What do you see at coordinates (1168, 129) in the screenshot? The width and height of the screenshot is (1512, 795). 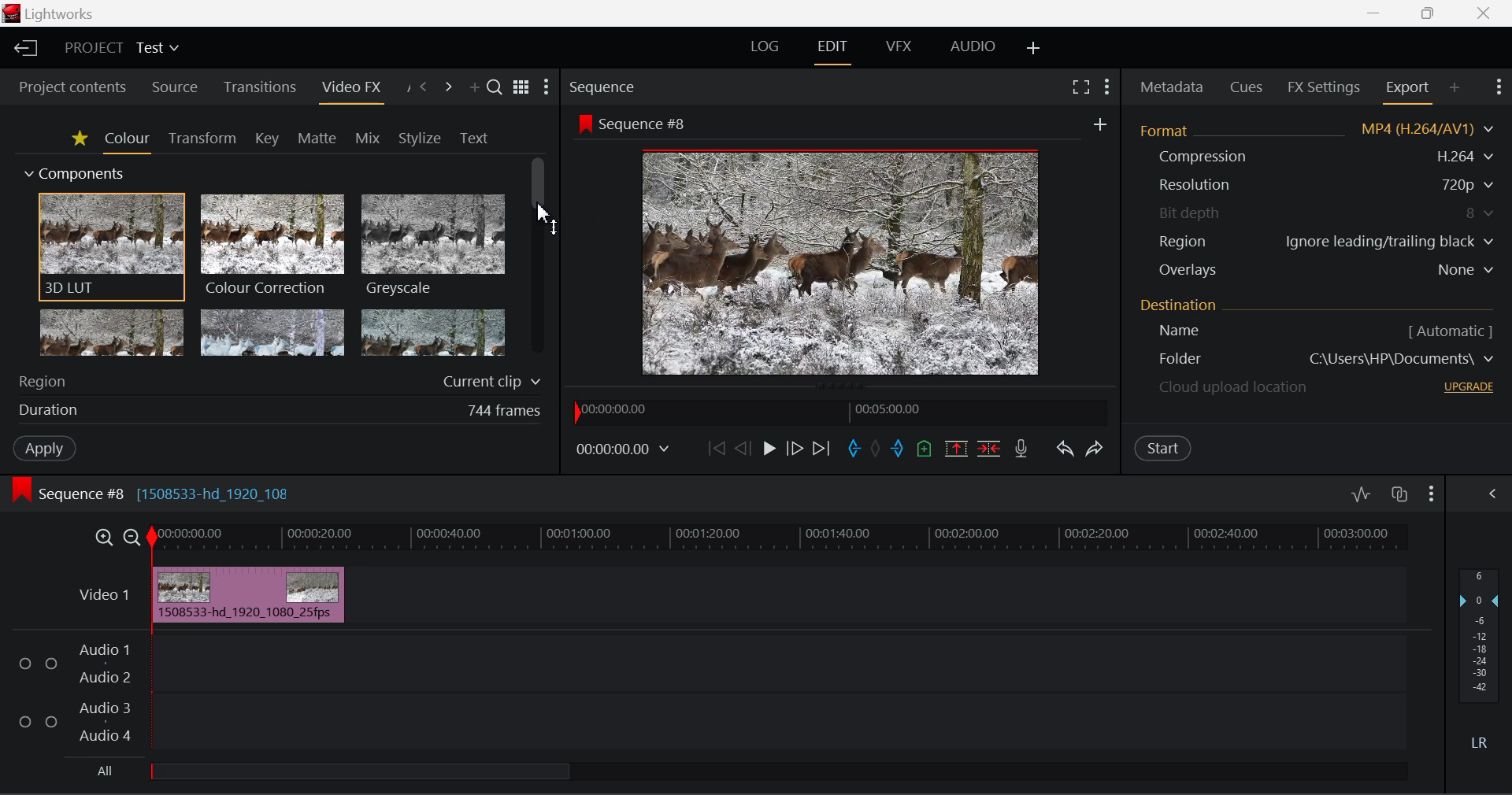 I see `Format` at bounding box center [1168, 129].